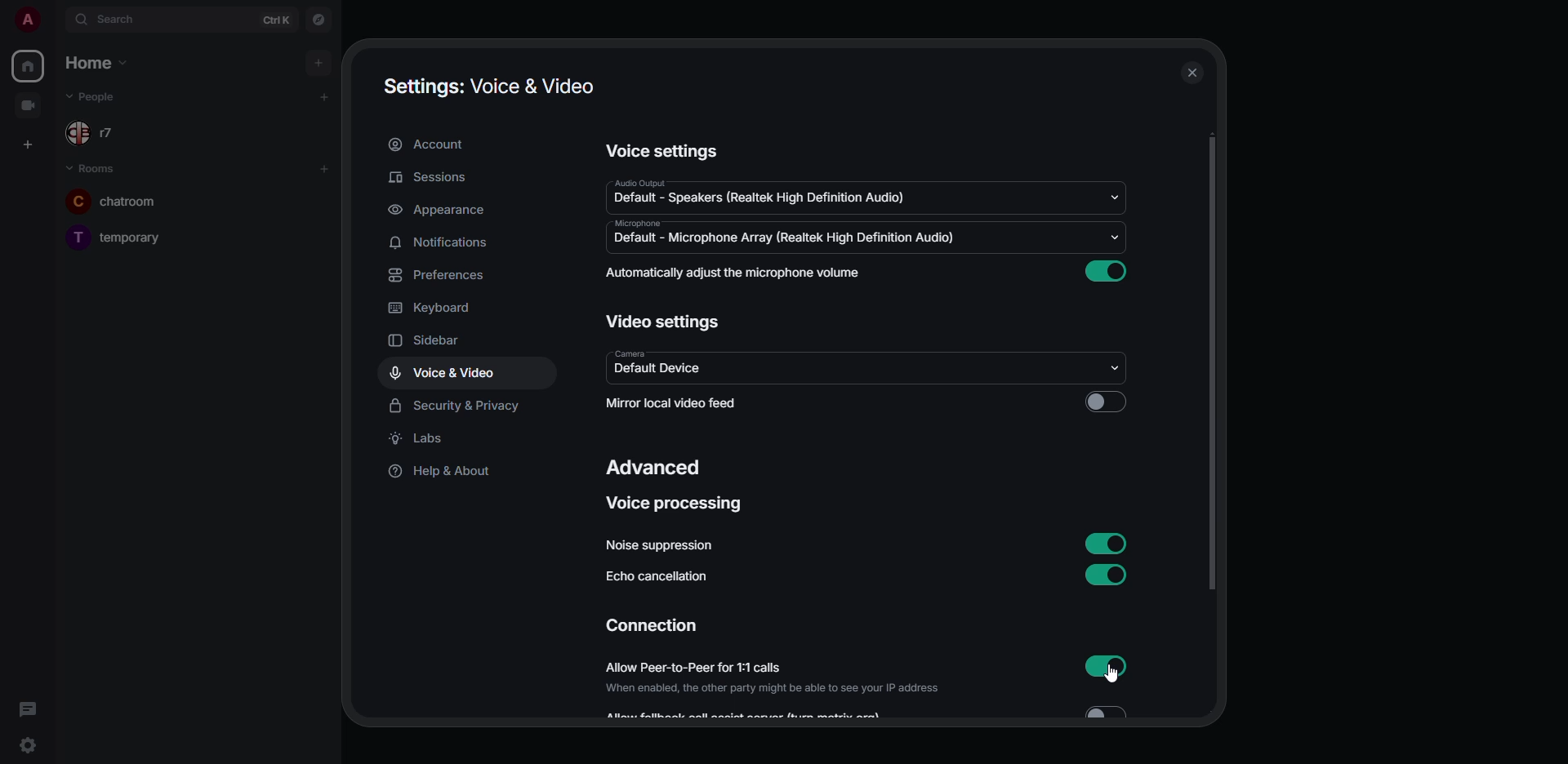  Describe the element at coordinates (1111, 574) in the screenshot. I see `enabled` at that location.